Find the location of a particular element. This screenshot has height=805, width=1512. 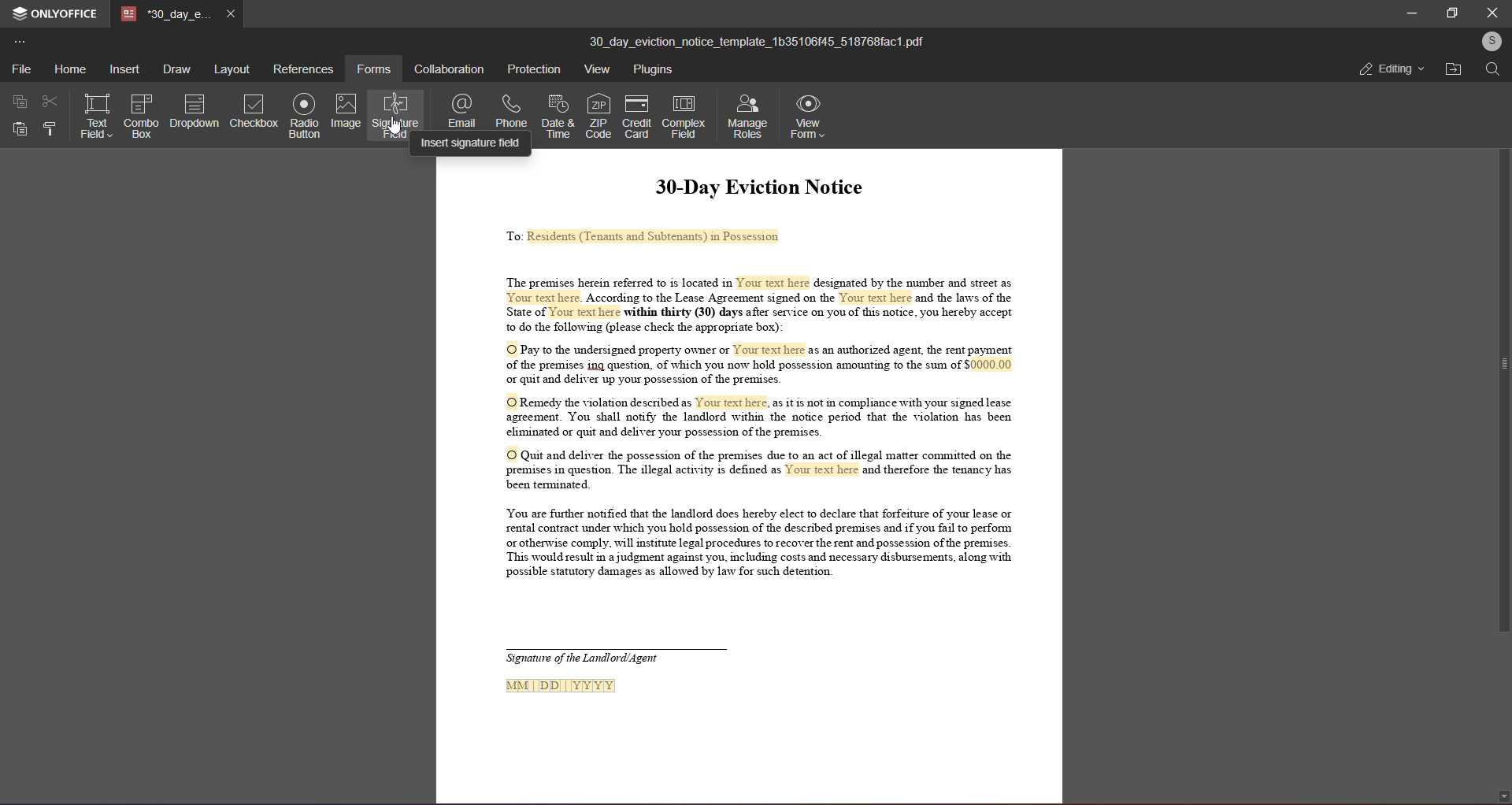

time and date is located at coordinates (555, 114).